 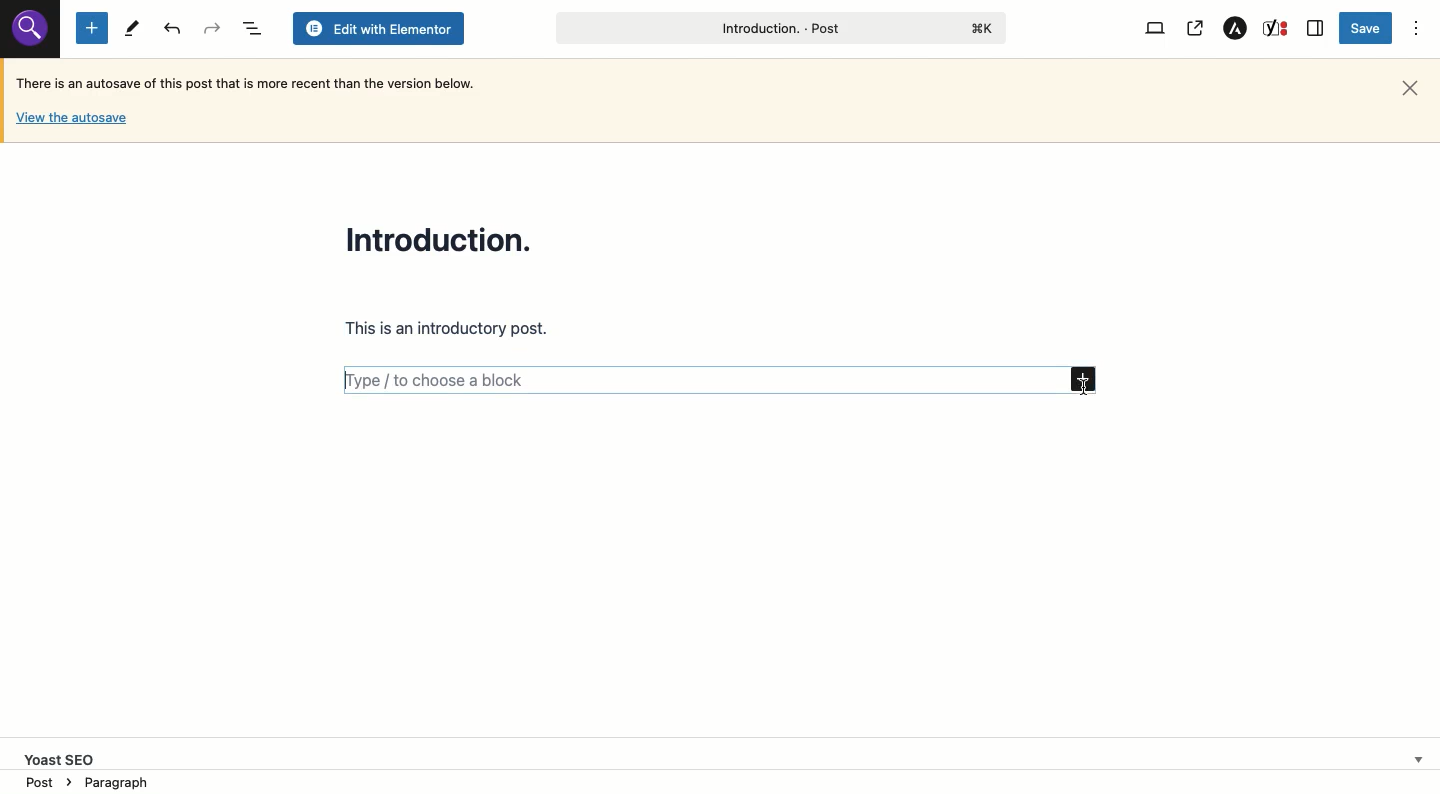 What do you see at coordinates (1158, 29) in the screenshot?
I see `View` at bounding box center [1158, 29].